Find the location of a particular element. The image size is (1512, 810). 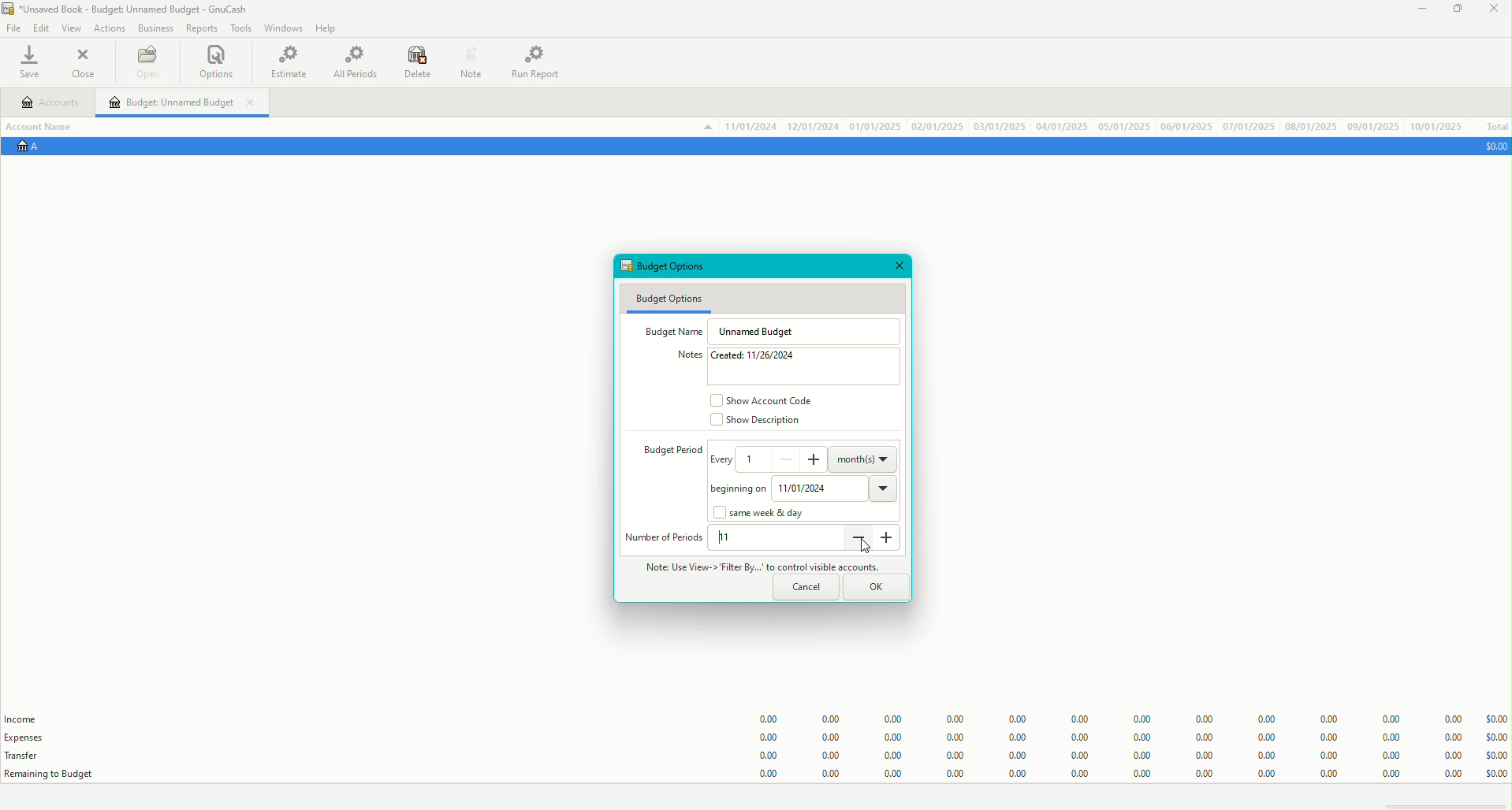

Help is located at coordinates (329, 28).